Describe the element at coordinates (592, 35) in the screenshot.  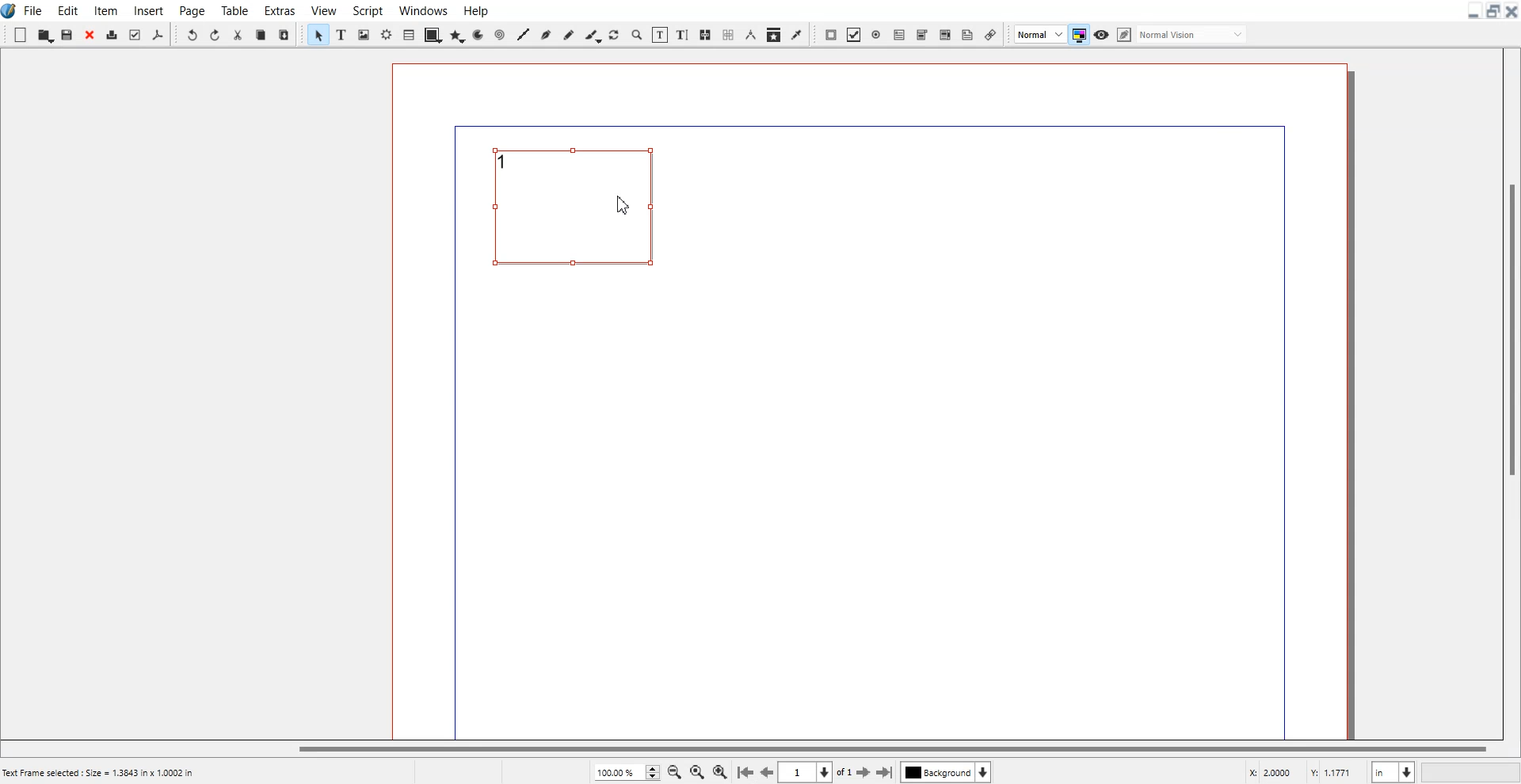
I see `Calligraphic line` at that location.